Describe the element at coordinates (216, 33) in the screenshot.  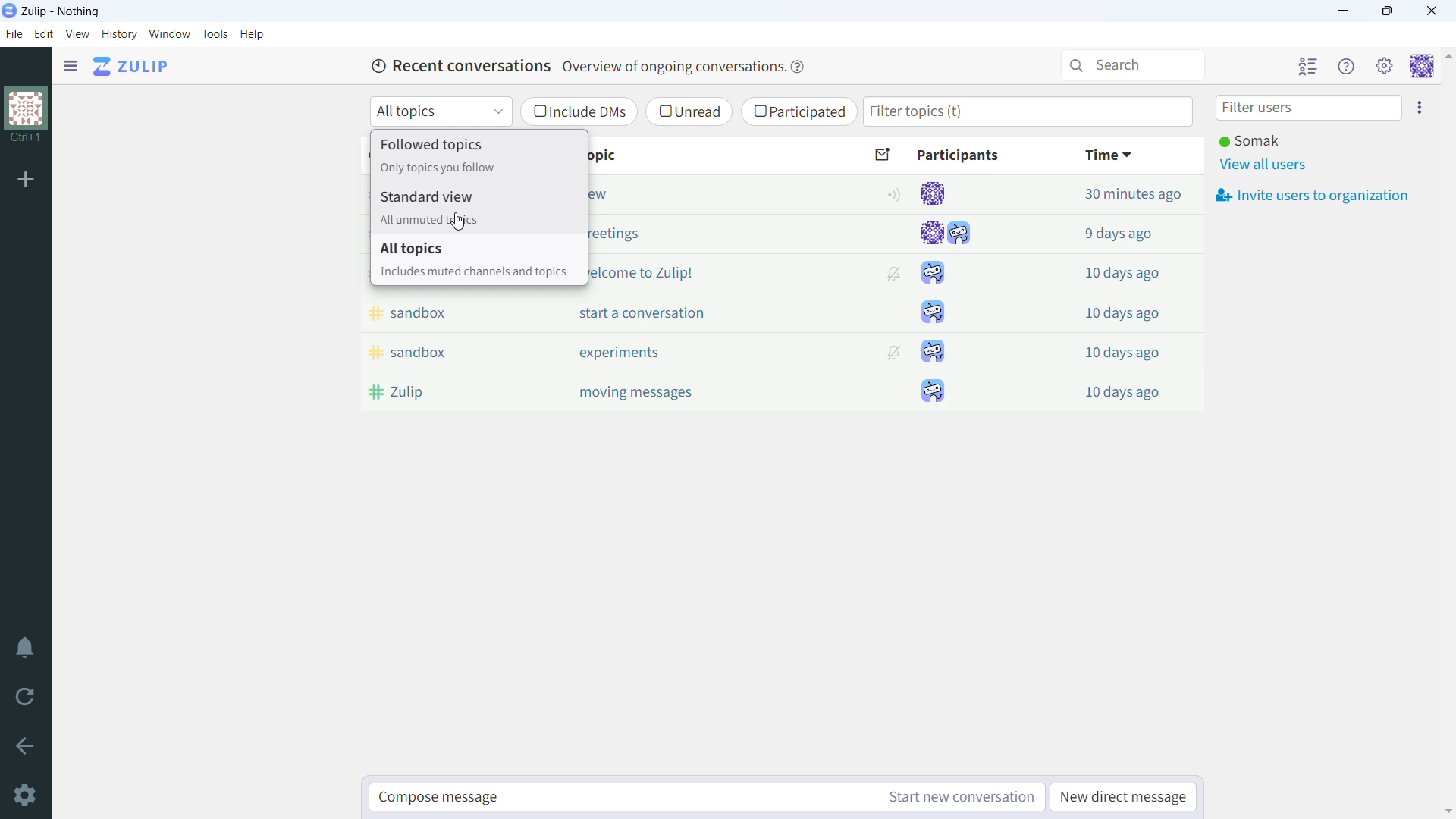
I see `tools` at that location.